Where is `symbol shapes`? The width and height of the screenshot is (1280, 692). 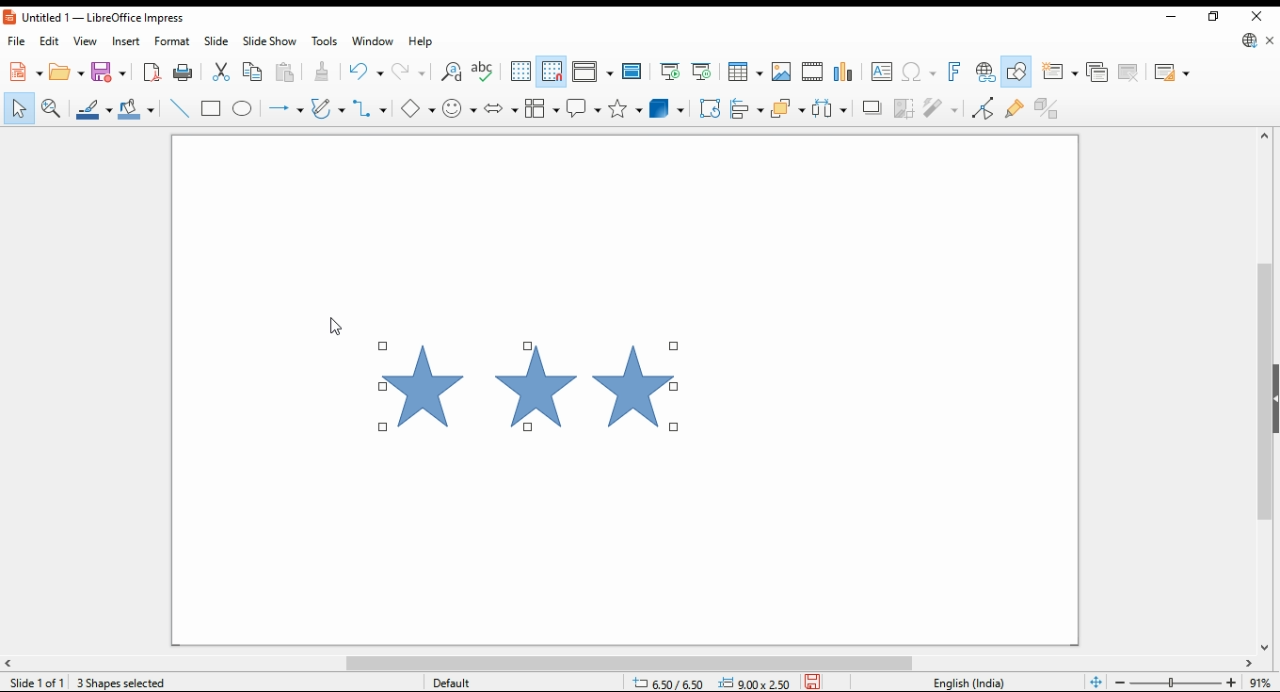 symbol shapes is located at coordinates (459, 108).